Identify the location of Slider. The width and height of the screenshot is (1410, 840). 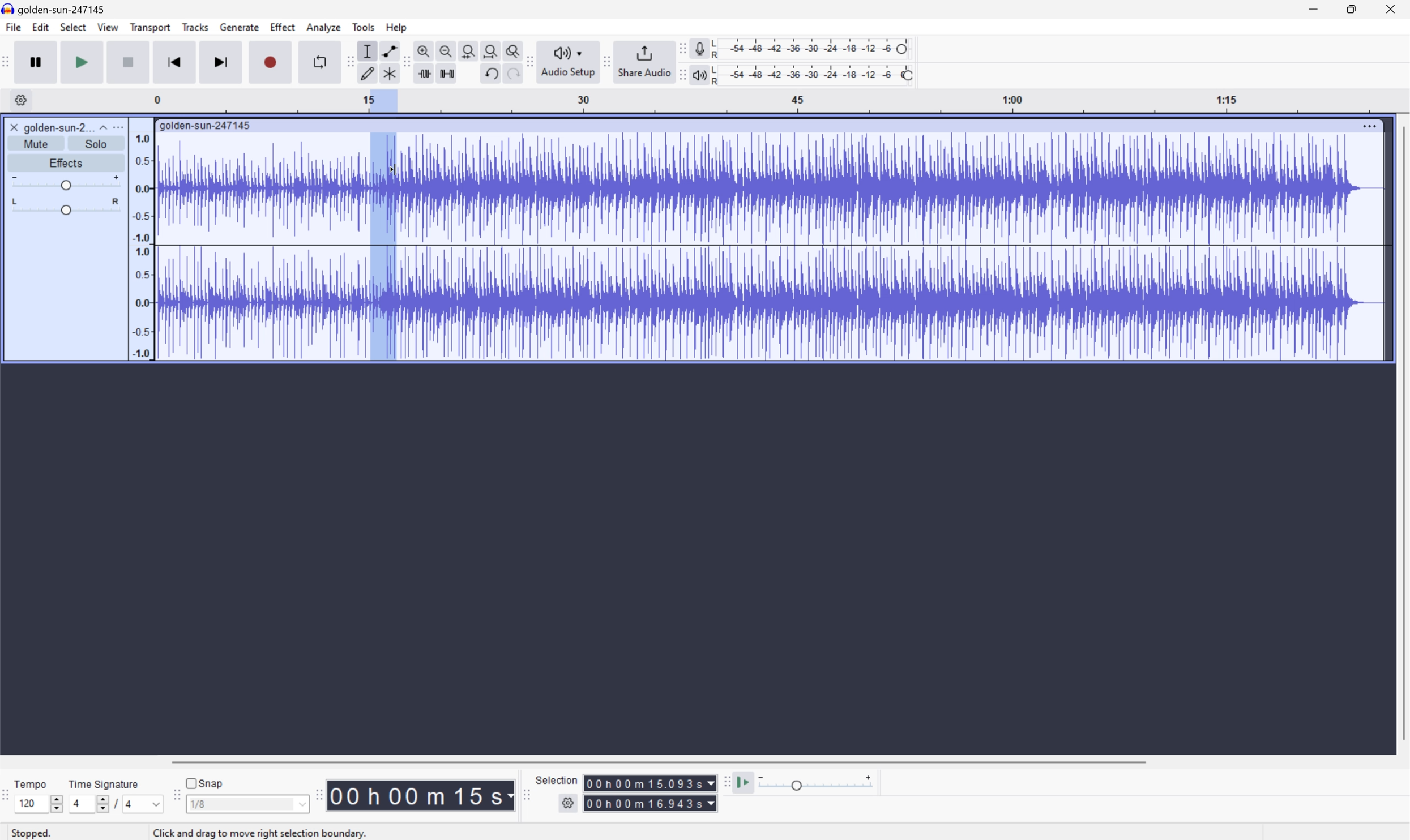
(65, 208).